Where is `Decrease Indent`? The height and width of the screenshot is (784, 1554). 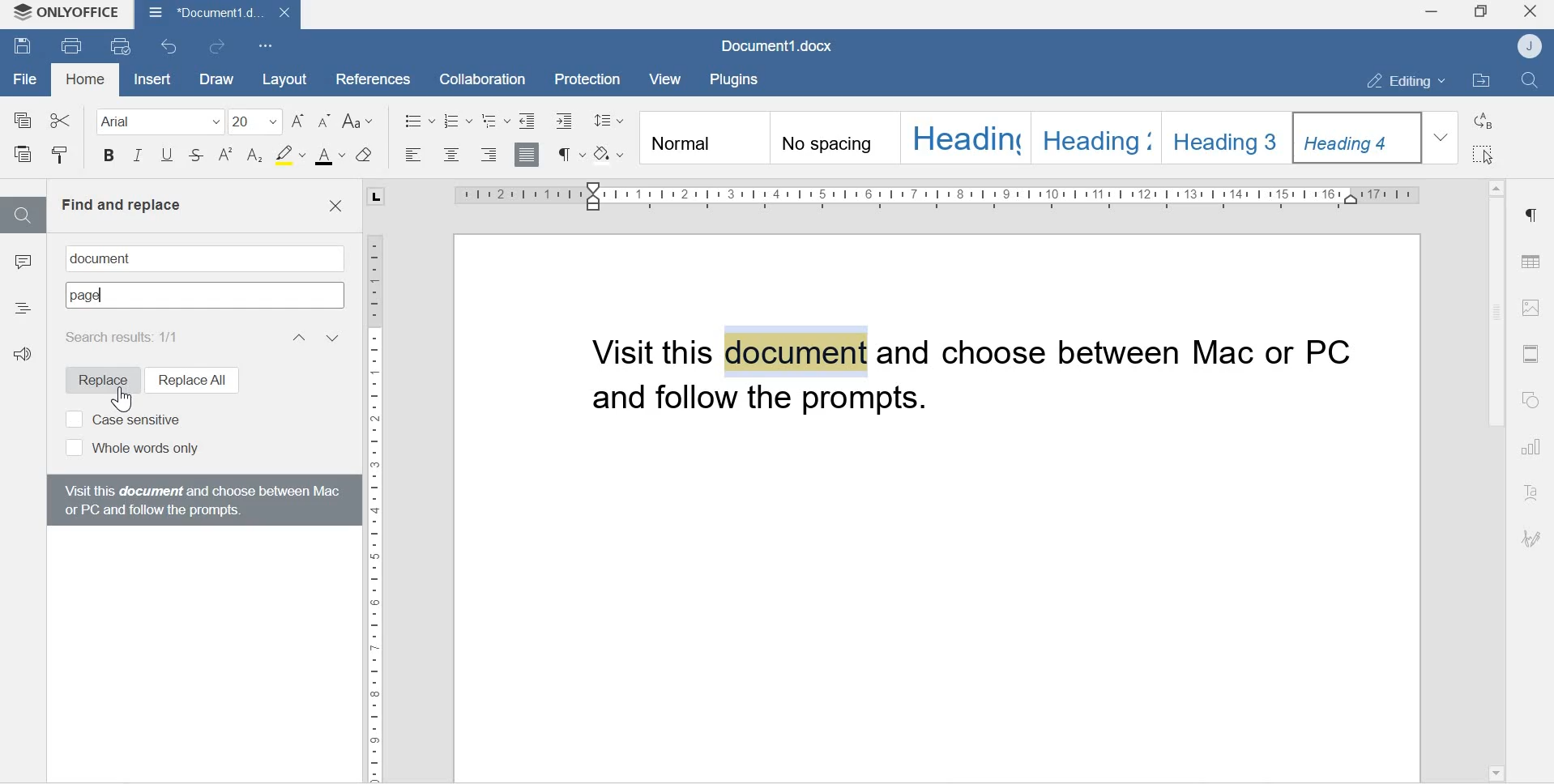 Decrease Indent is located at coordinates (568, 120).